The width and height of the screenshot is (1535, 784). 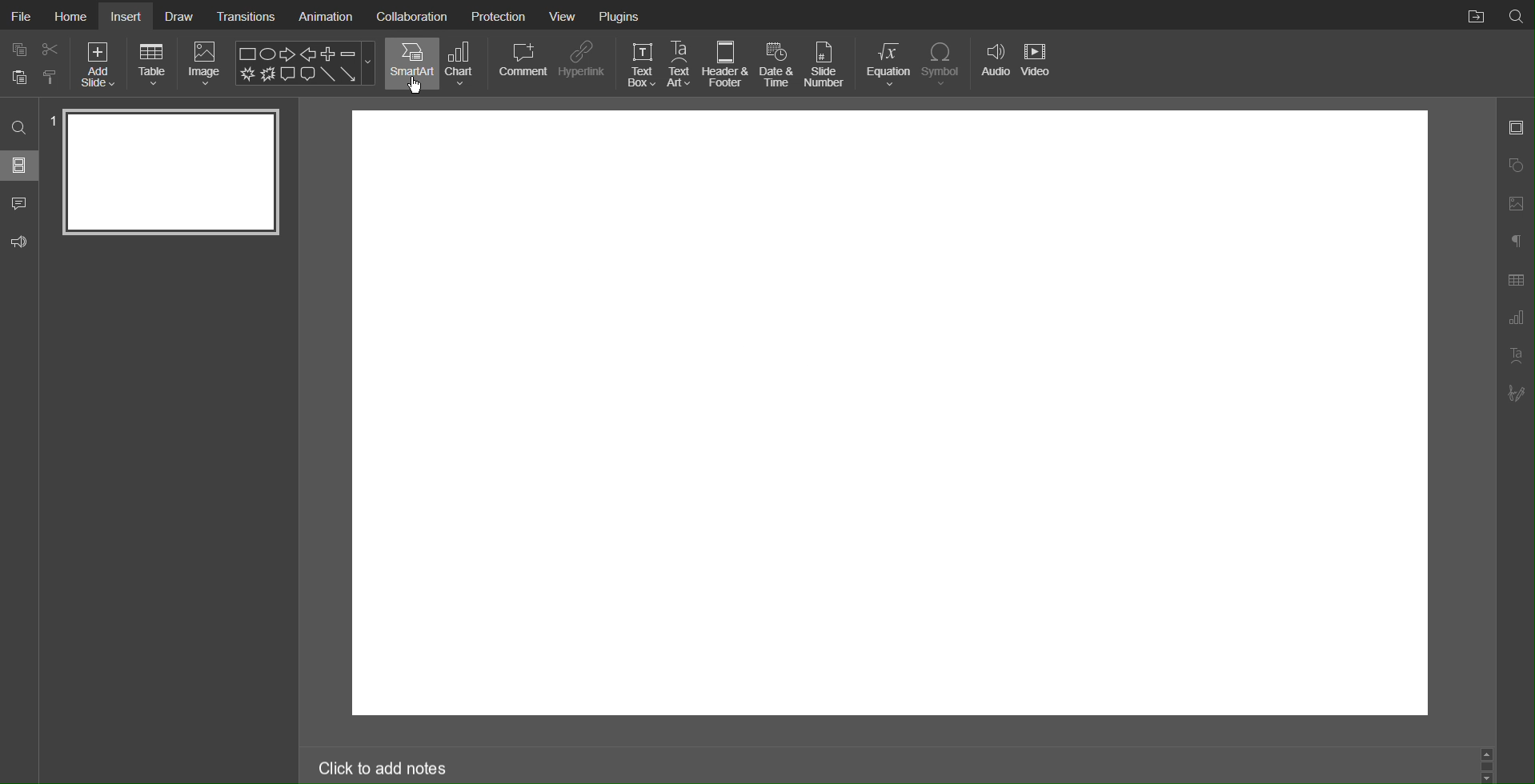 What do you see at coordinates (411, 64) in the screenshot?
I see `SmartArt` at bounding box center [411, 64].